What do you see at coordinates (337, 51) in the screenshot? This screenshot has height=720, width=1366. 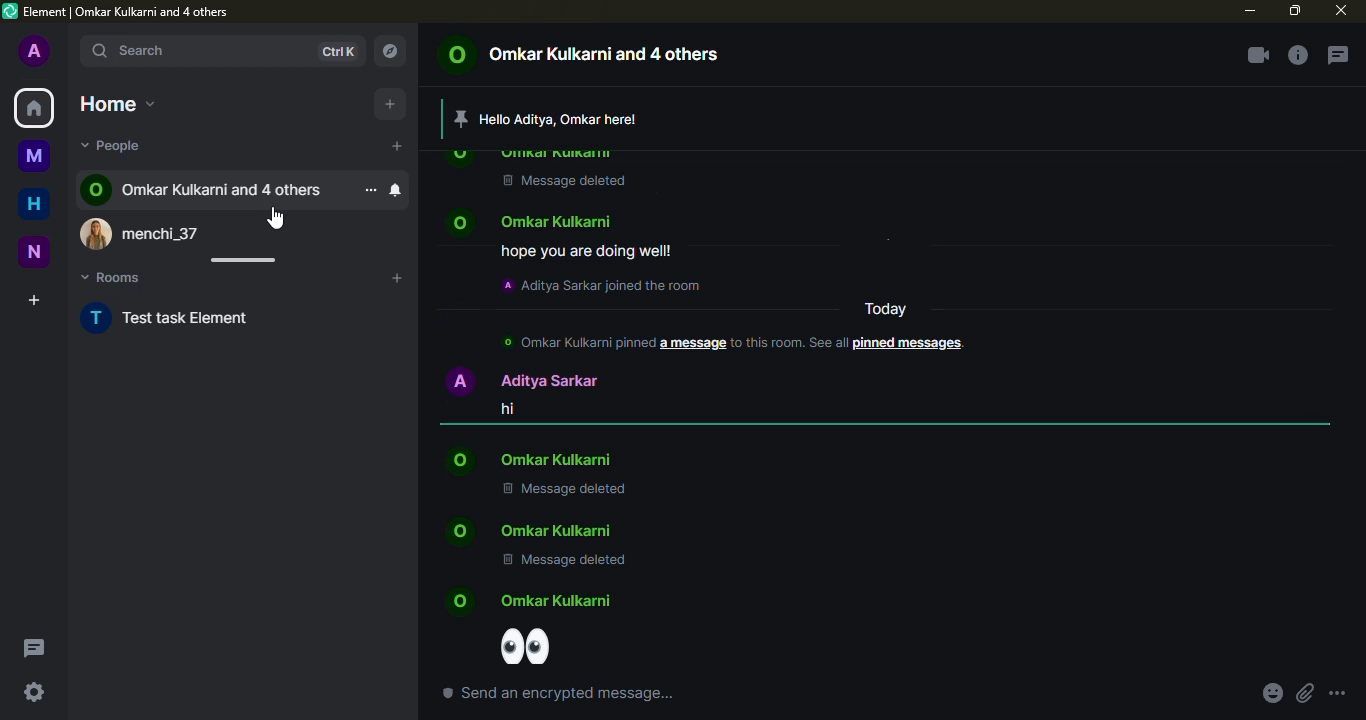 I see `ctrl K` at bounding box center [337, 51].